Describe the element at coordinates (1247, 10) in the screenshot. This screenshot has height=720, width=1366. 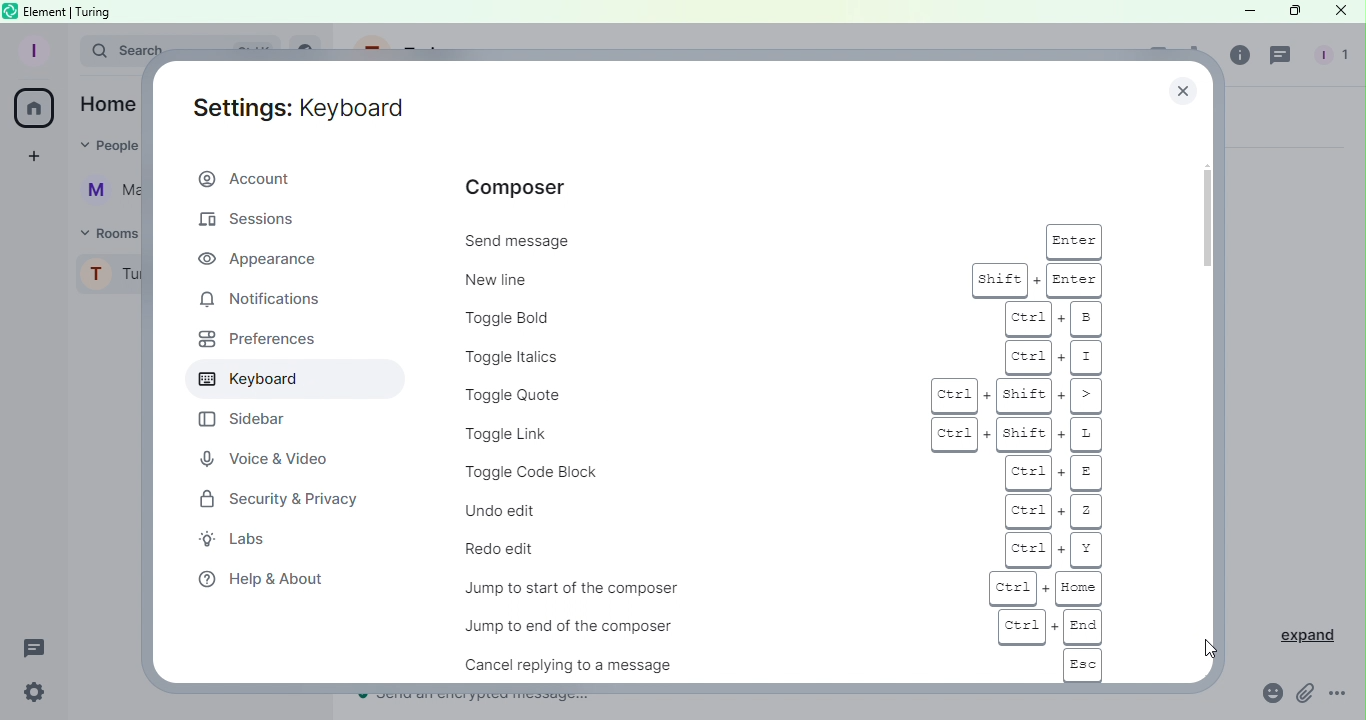
I see `Minimize` at that location.